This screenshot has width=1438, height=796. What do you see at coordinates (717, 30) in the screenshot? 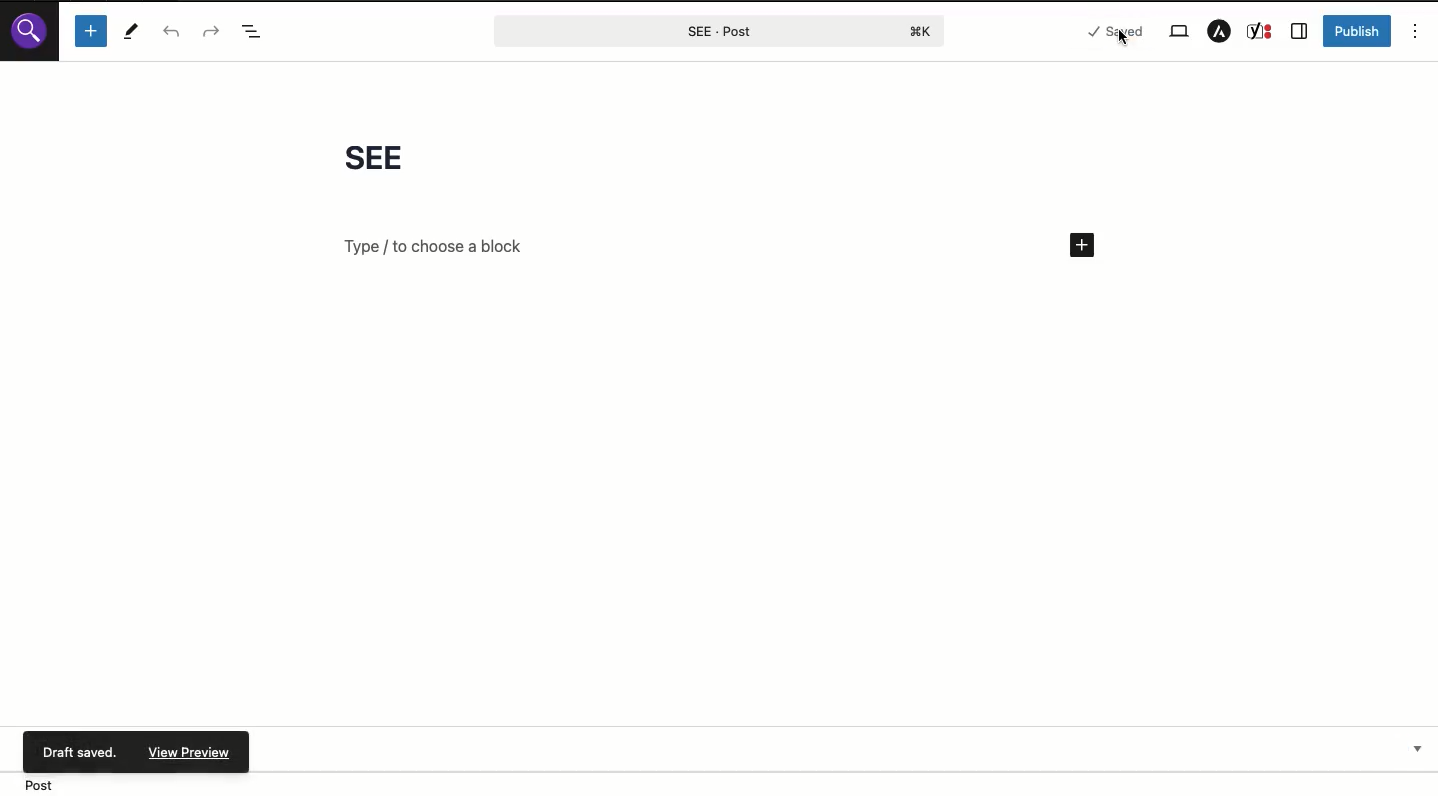
I see `Post` at bounding box center [717, 30].